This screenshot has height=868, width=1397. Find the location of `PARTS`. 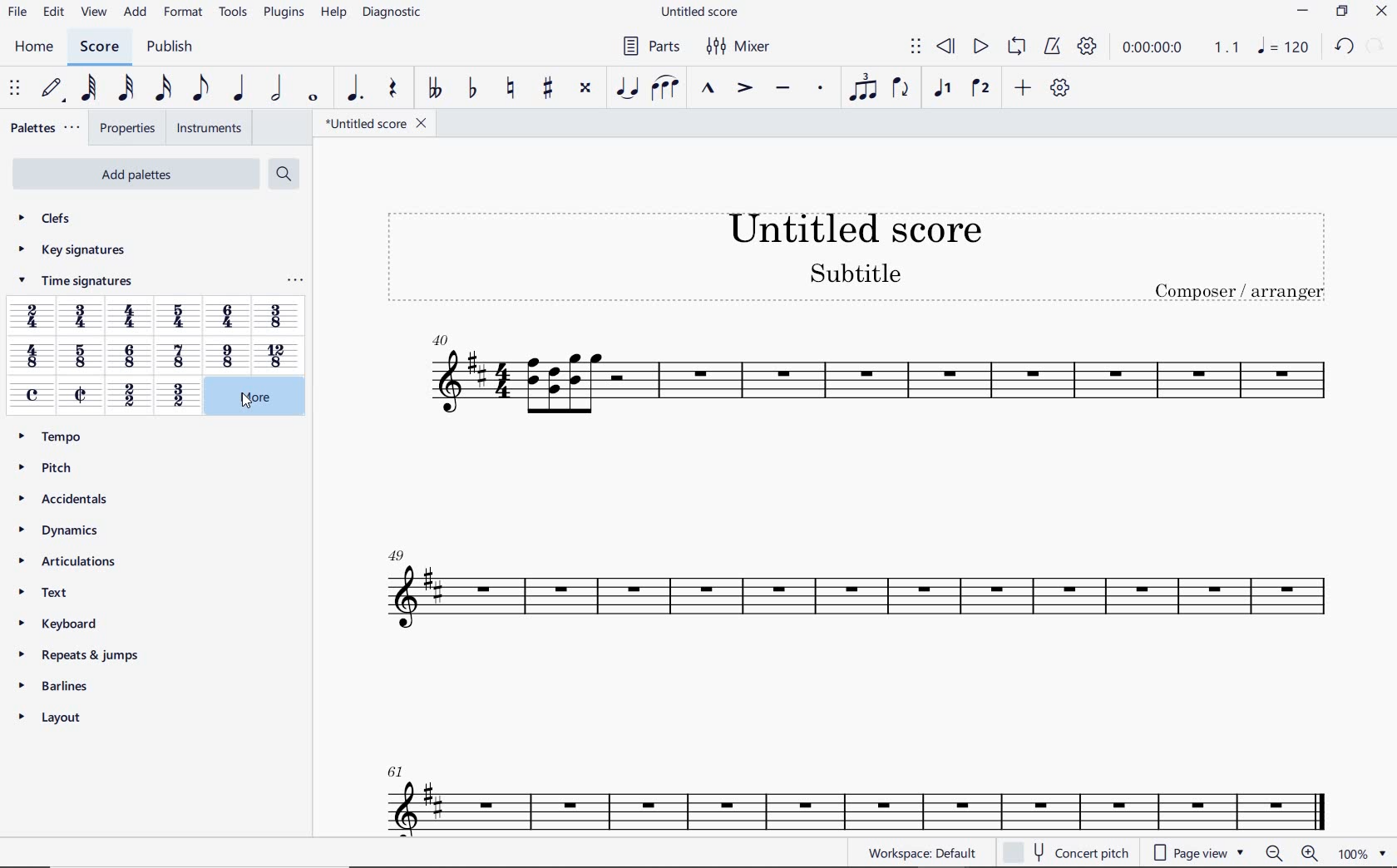

PARTS is located at coordinates (650, 46).